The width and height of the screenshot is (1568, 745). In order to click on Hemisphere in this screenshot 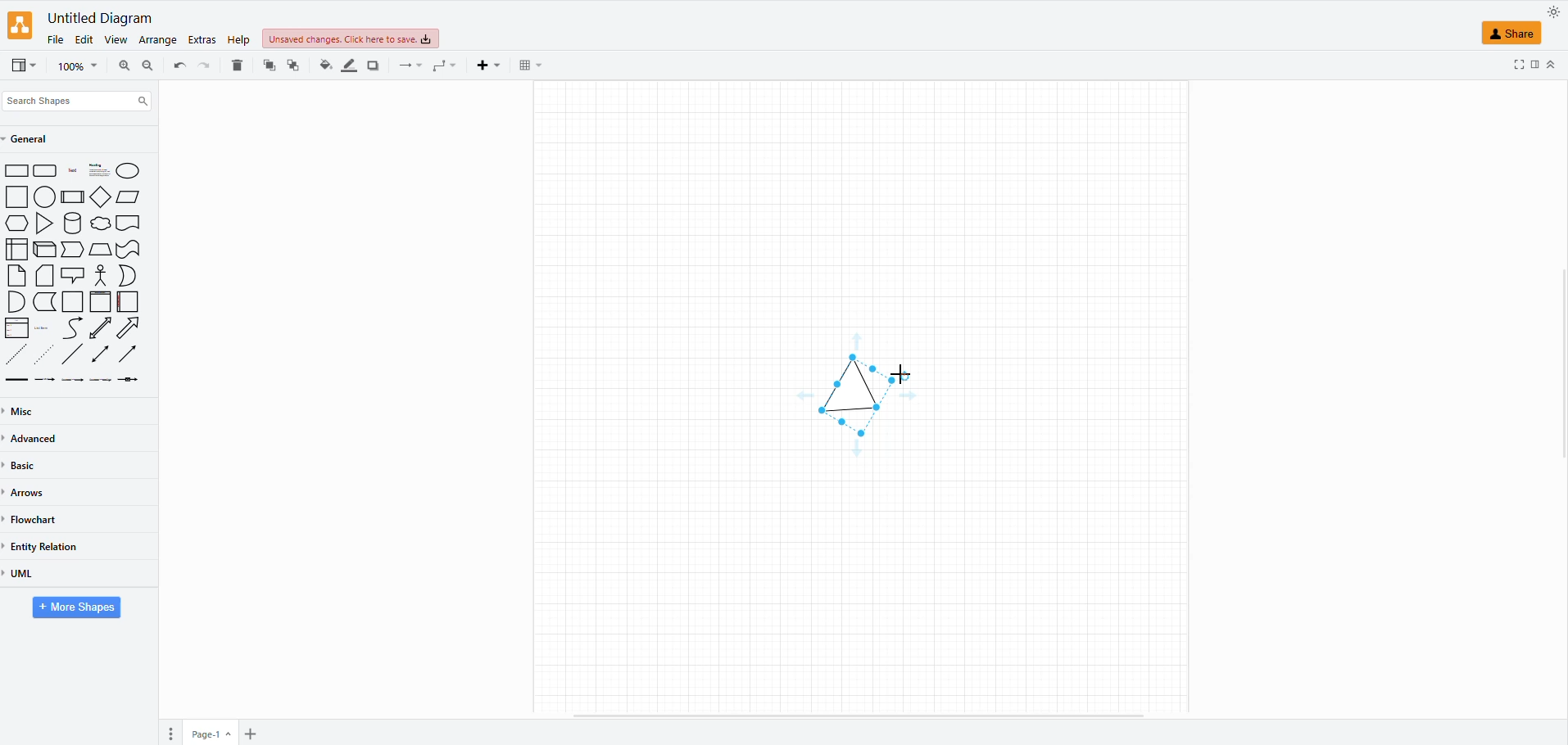, I will do `click(15, 301)`.